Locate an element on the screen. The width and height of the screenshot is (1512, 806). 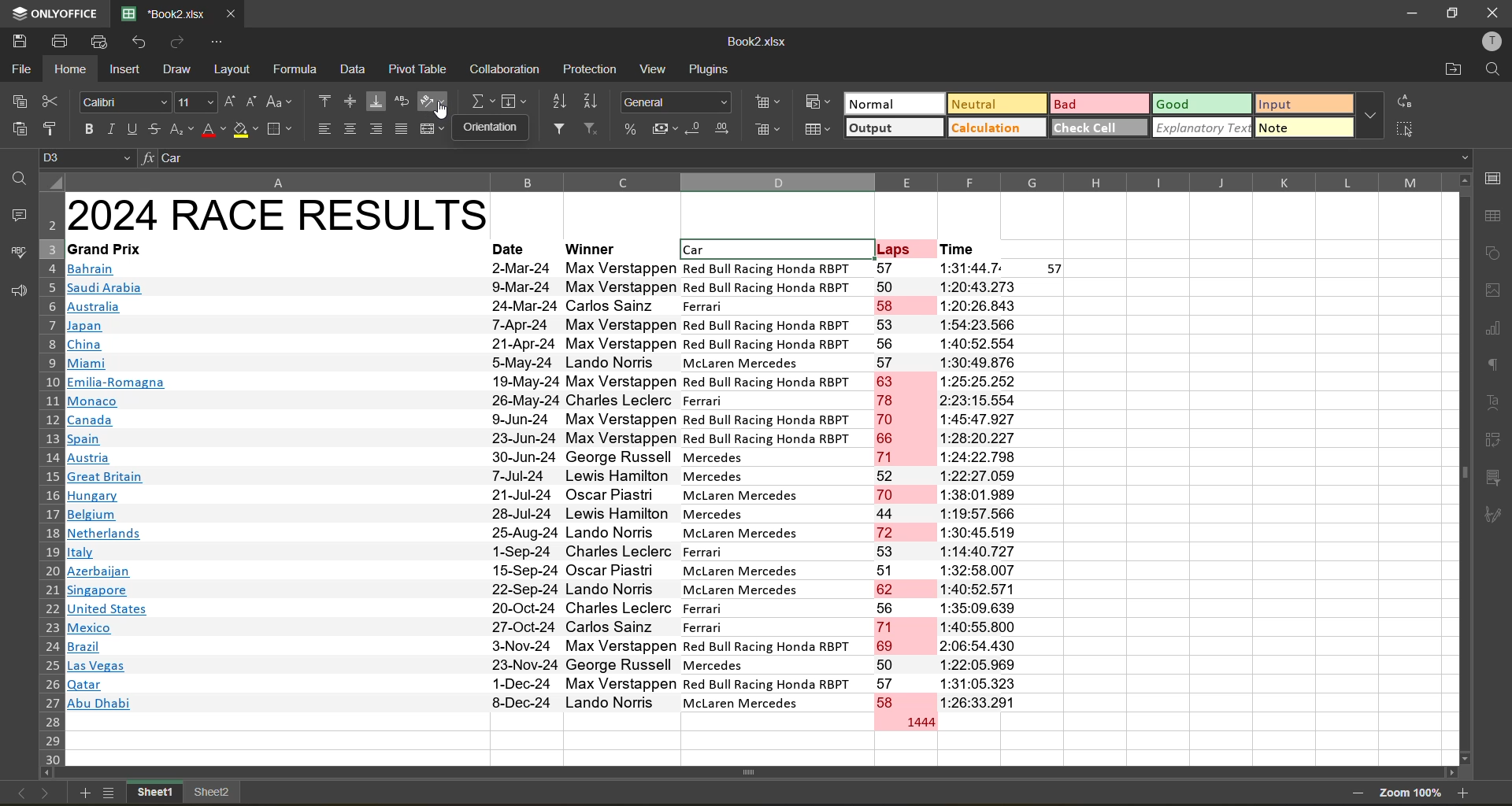
Select all is located at coordinates (50, 181).